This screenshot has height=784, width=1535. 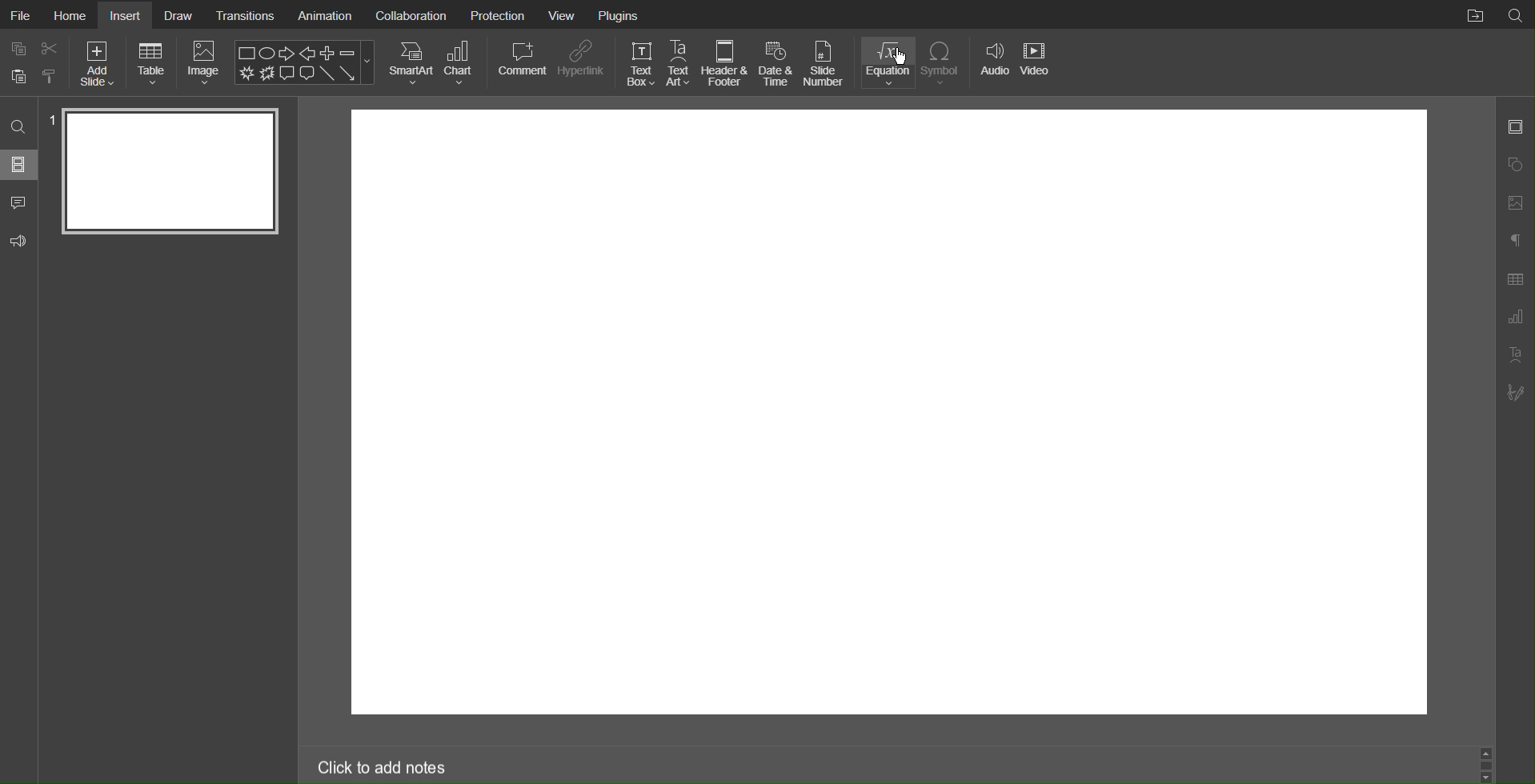 I want to click on Shape Menu, so click(x=303, y=62).